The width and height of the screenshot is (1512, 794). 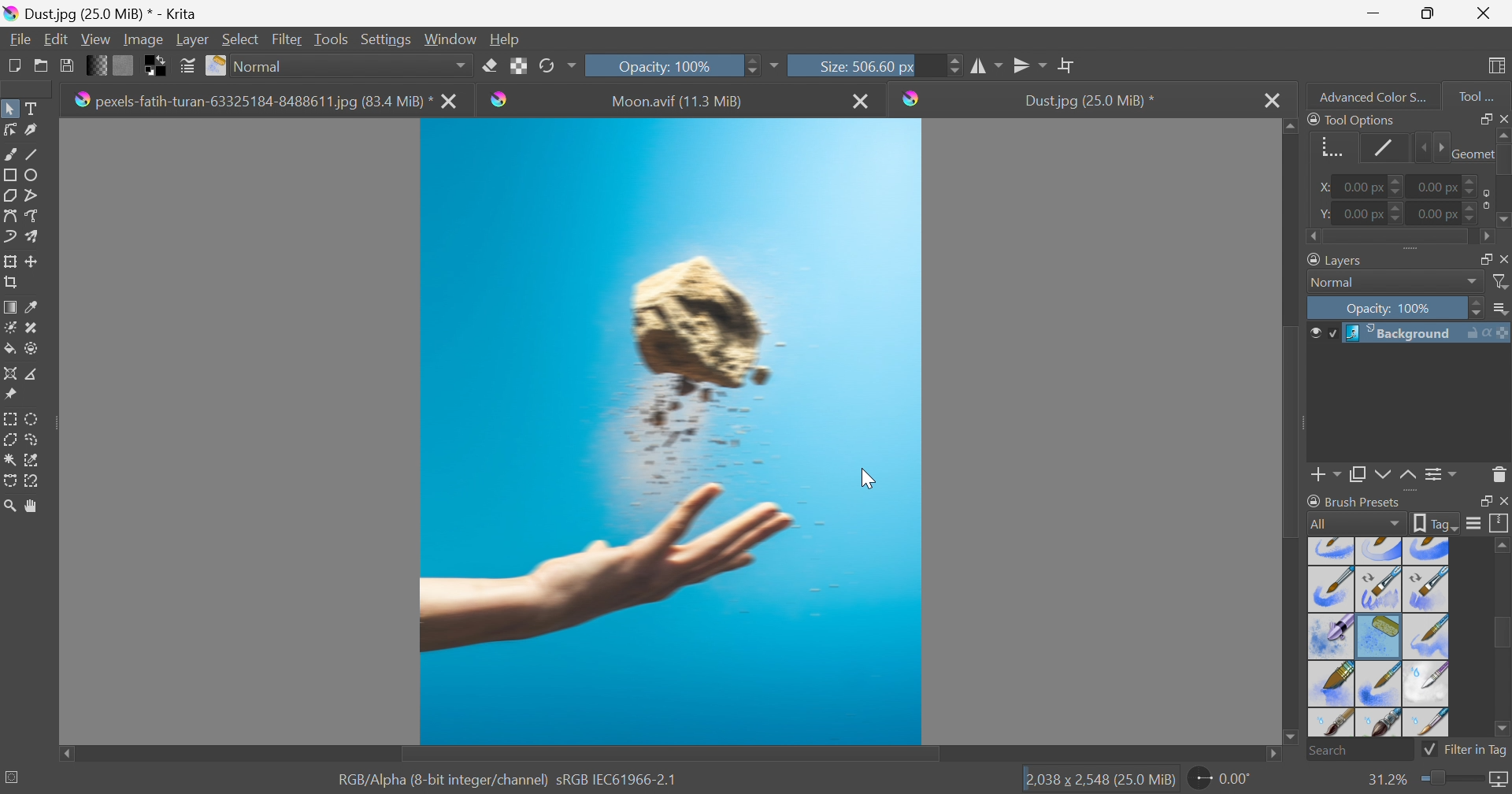 I want to click on Slider, so click(x=1503, y=179).